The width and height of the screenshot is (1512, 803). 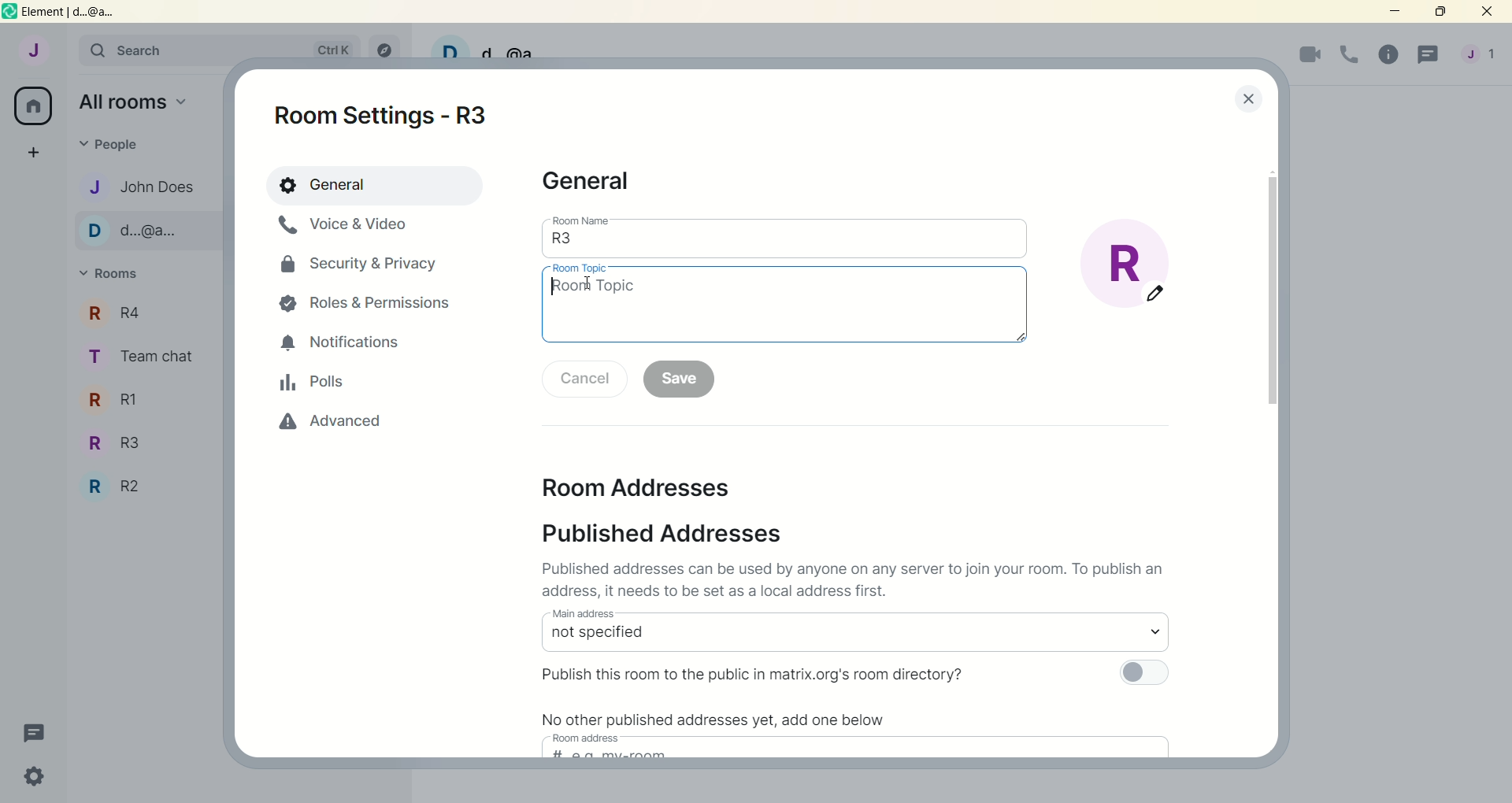 I want to click on account: John does, so click(x=35, y=54).